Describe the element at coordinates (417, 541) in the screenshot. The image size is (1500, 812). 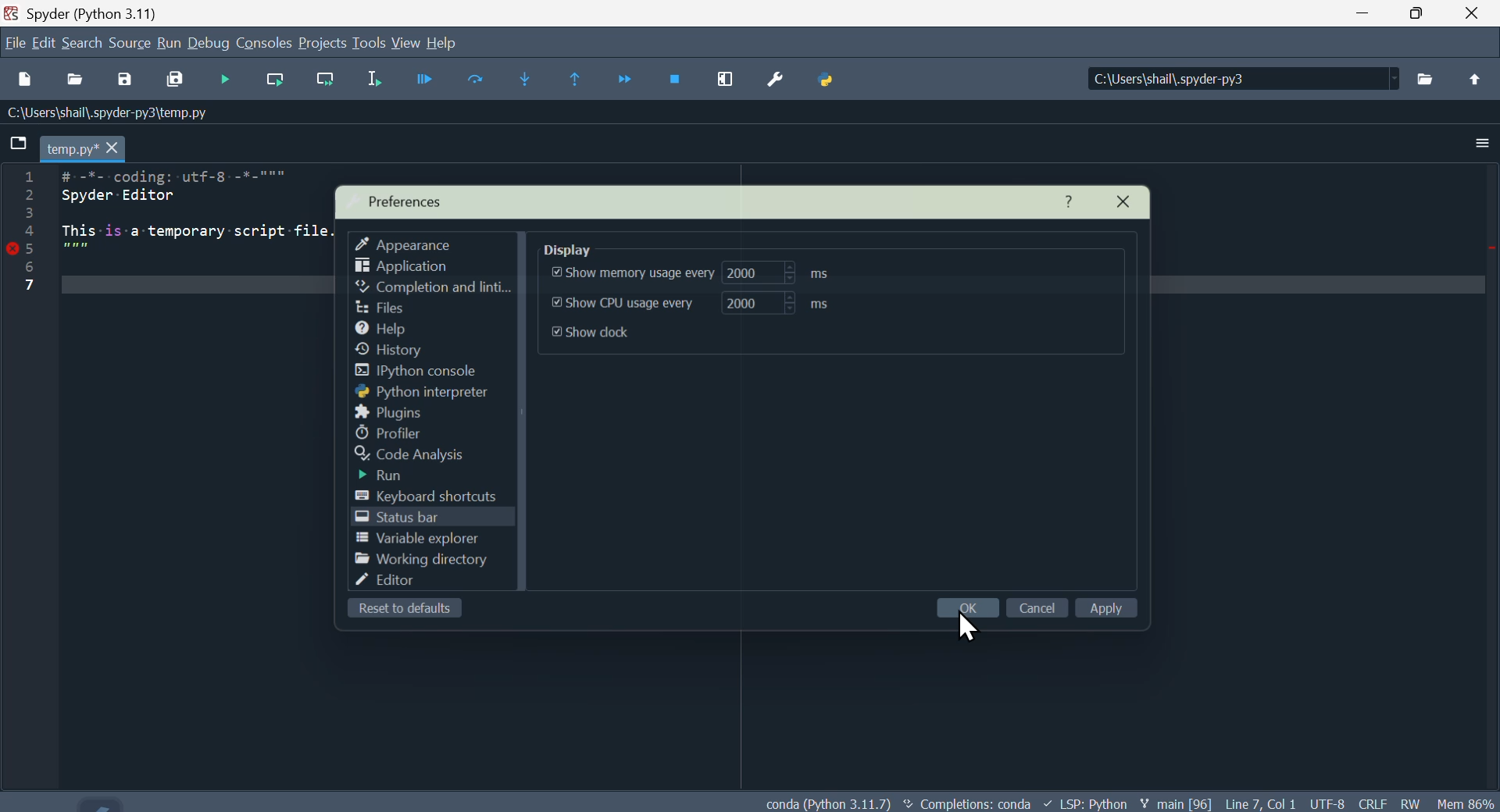
I see `Variable explorer` at that location.